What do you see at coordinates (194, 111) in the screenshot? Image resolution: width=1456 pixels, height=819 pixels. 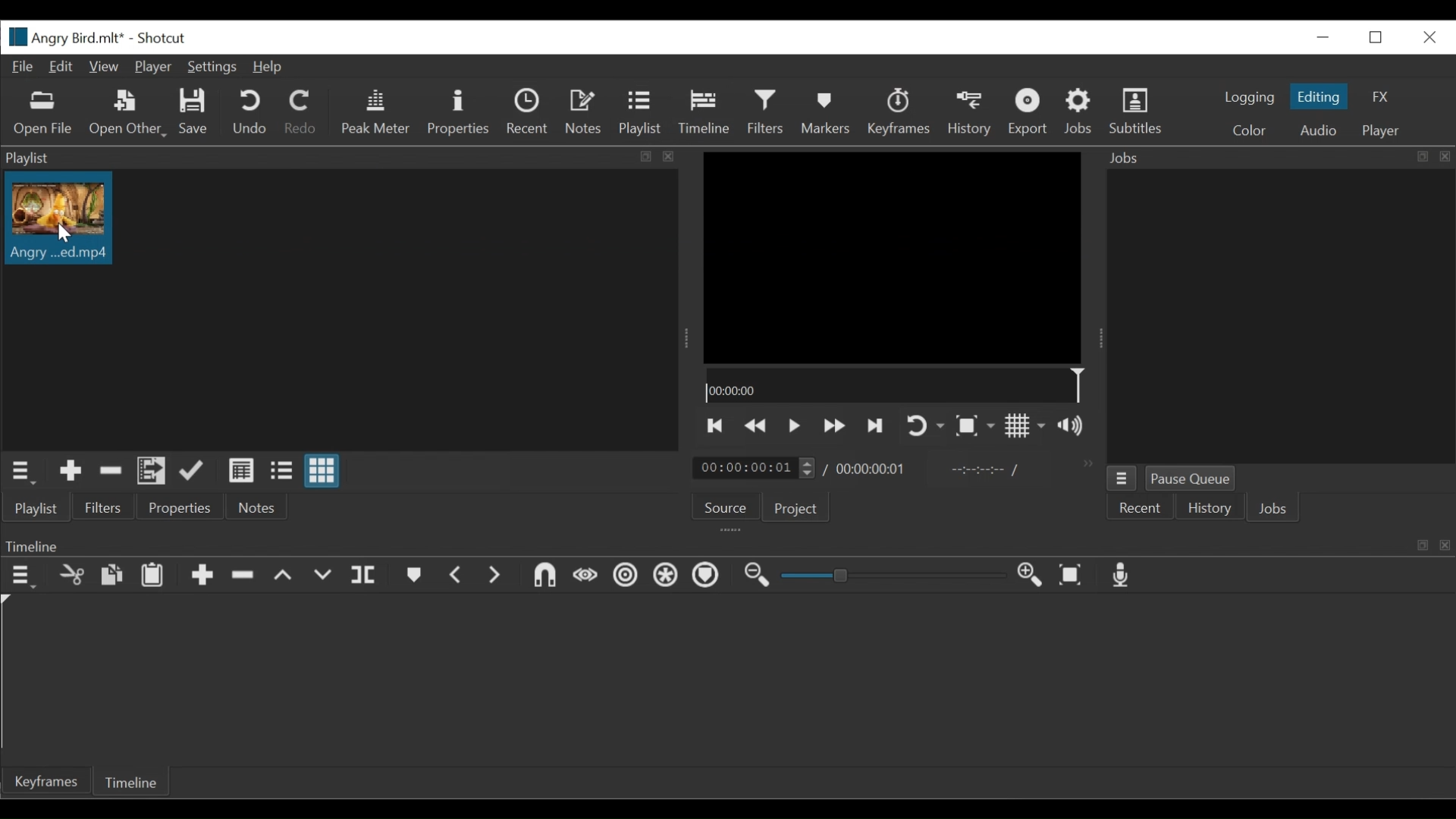 I see `Save` at bounding box center [194, 111].